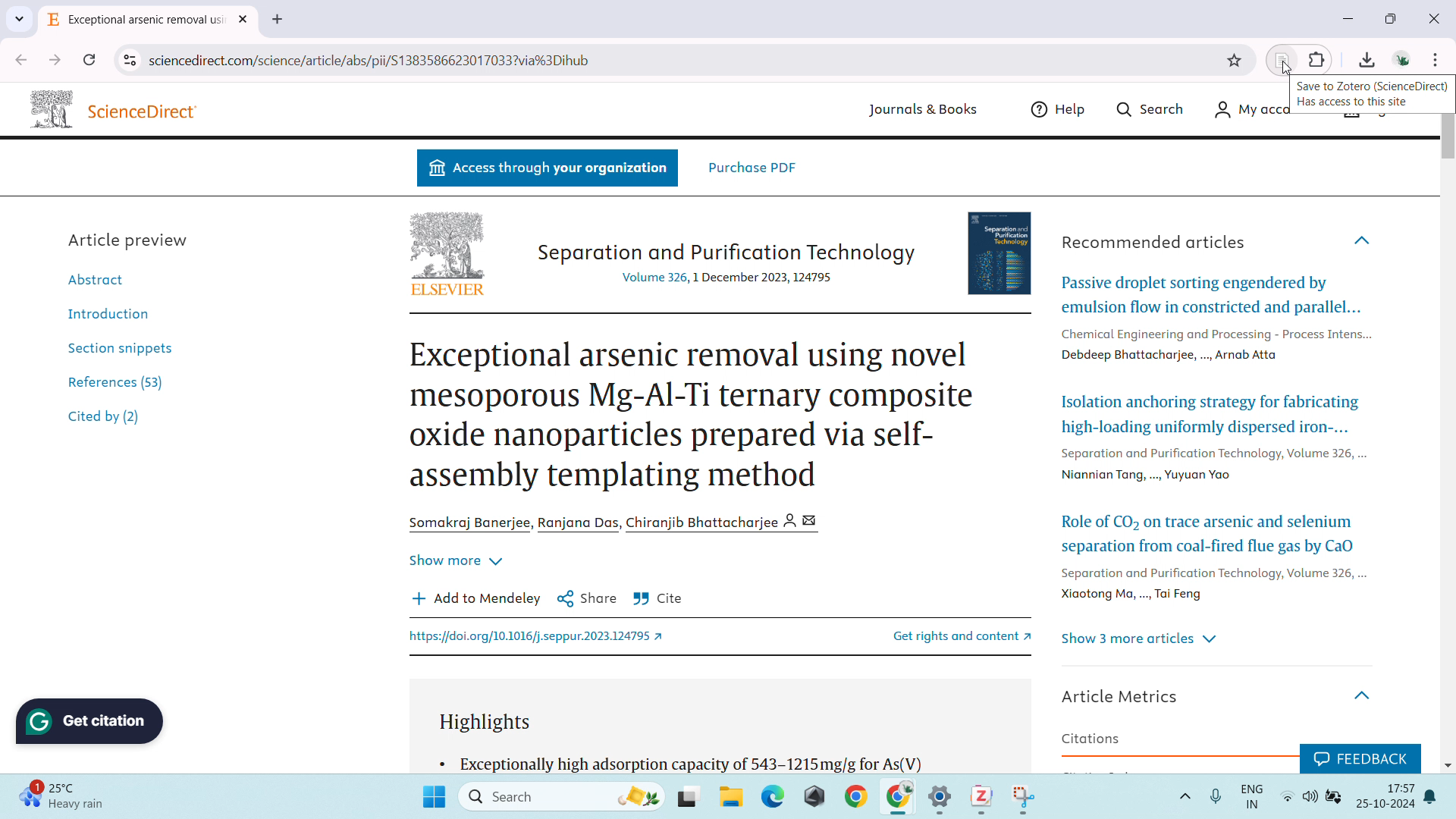 The height and width of the screenshot is (819, 1456). Describe the element at coordinates (752, 167) in the screenshot. I see `Purchase PDF` at that location.